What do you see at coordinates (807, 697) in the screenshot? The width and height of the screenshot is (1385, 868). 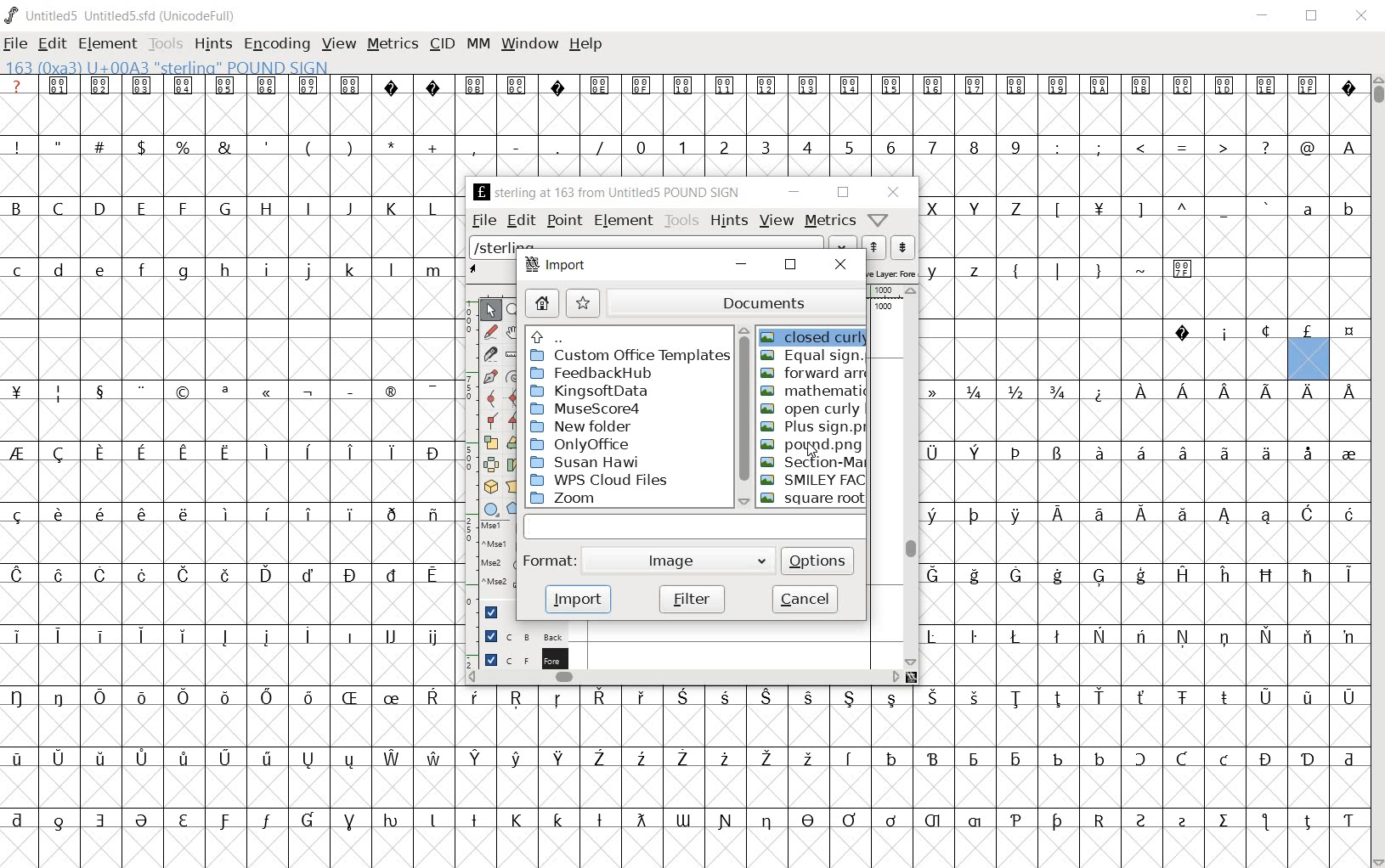 I see `Symbol` at bounding box center [807, 697].